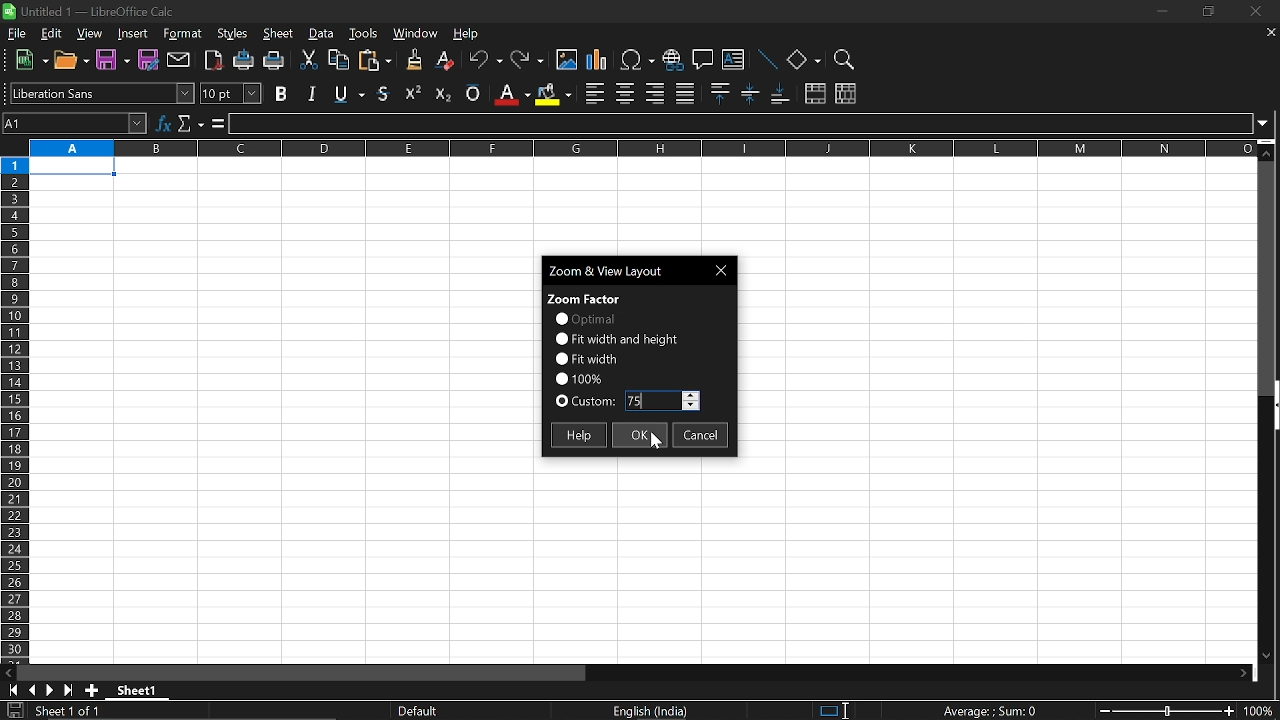 The image size is (1280, 720). Describe the element at coordinates (625, 94) in the screenshot. I see `align center` at that location.